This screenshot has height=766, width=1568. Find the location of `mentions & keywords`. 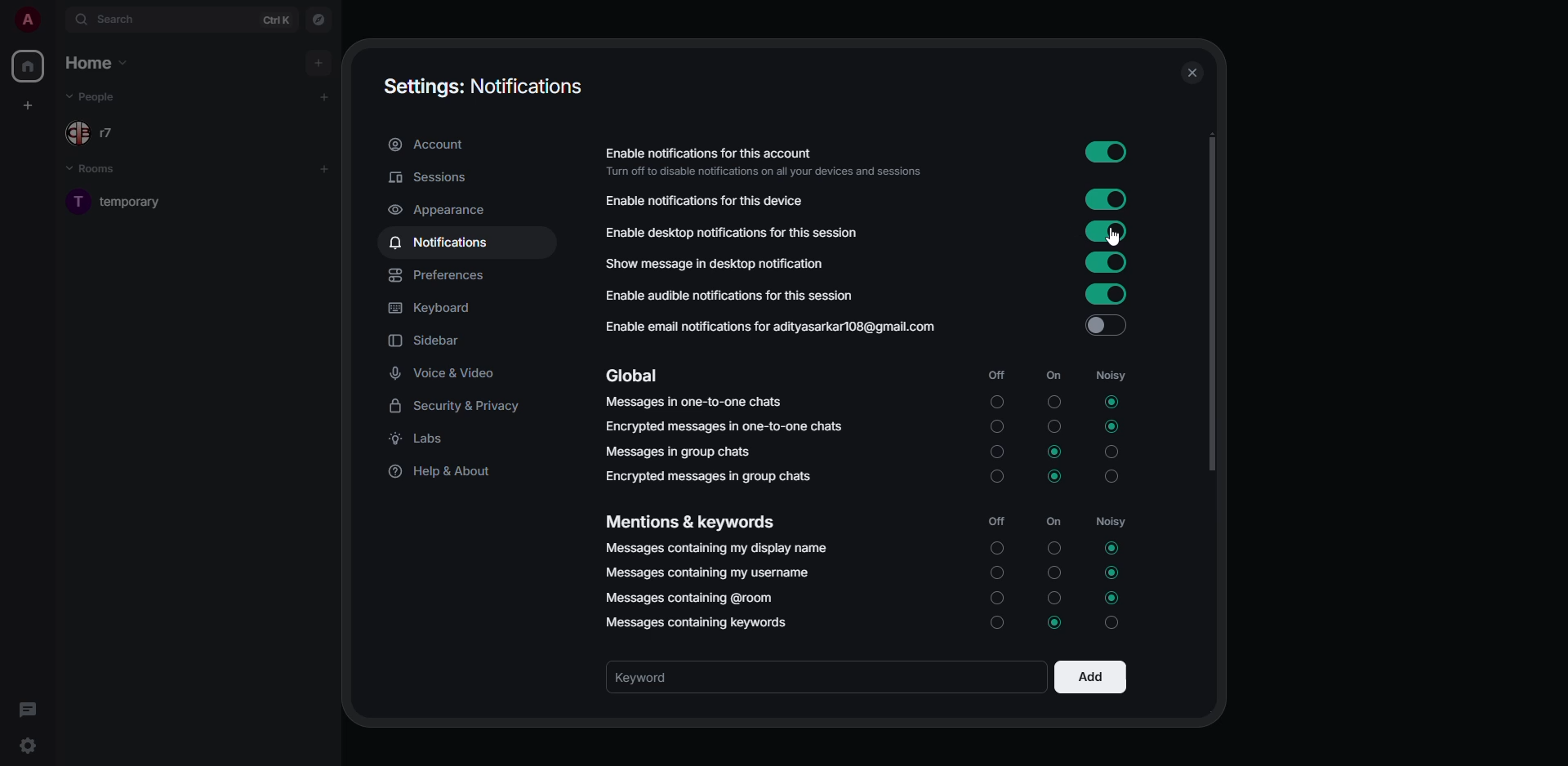

mentions & keywords is located at coordinates (689, 522).